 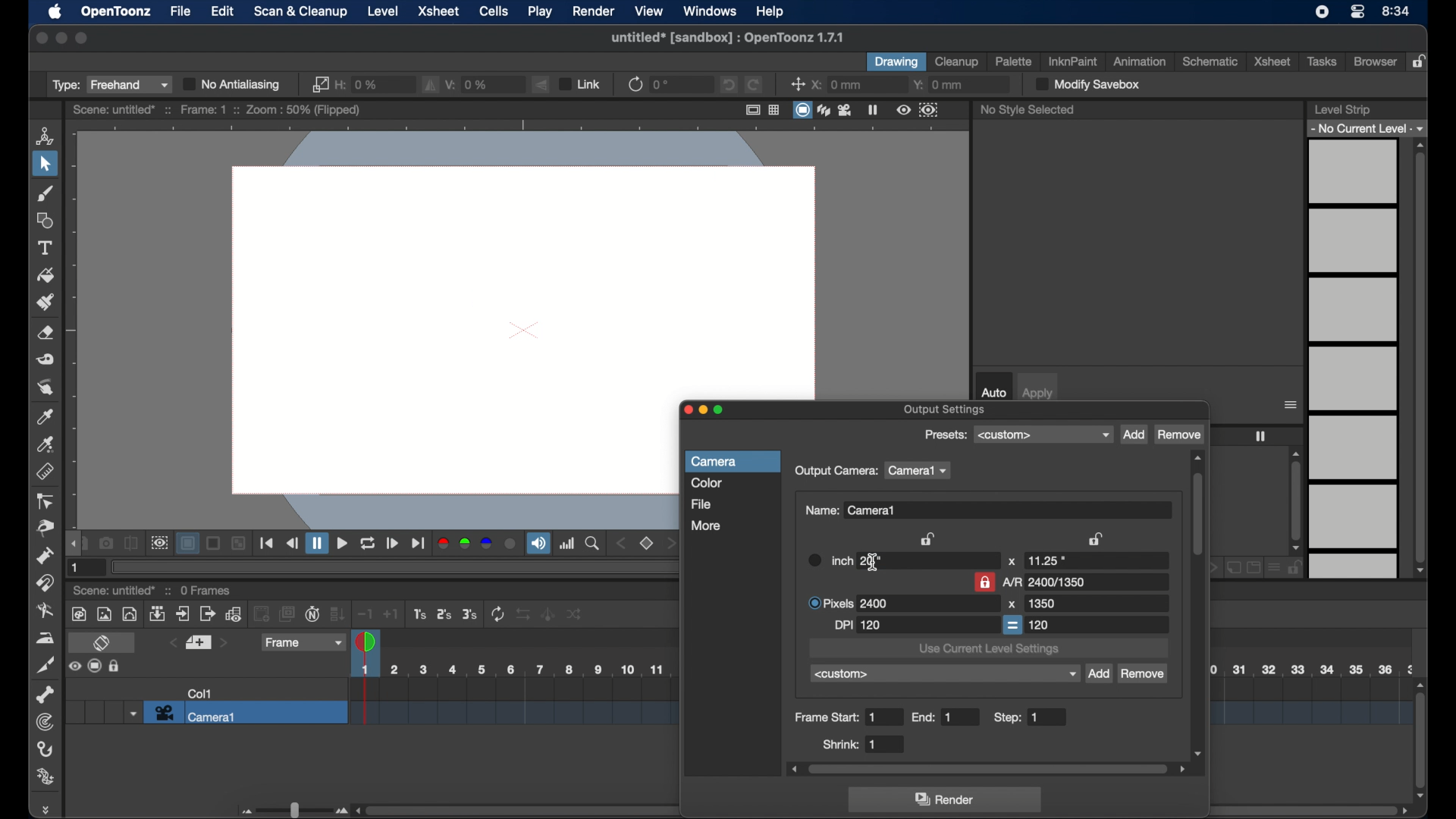 I want to click on scroll box, so click(x=510, y=808).